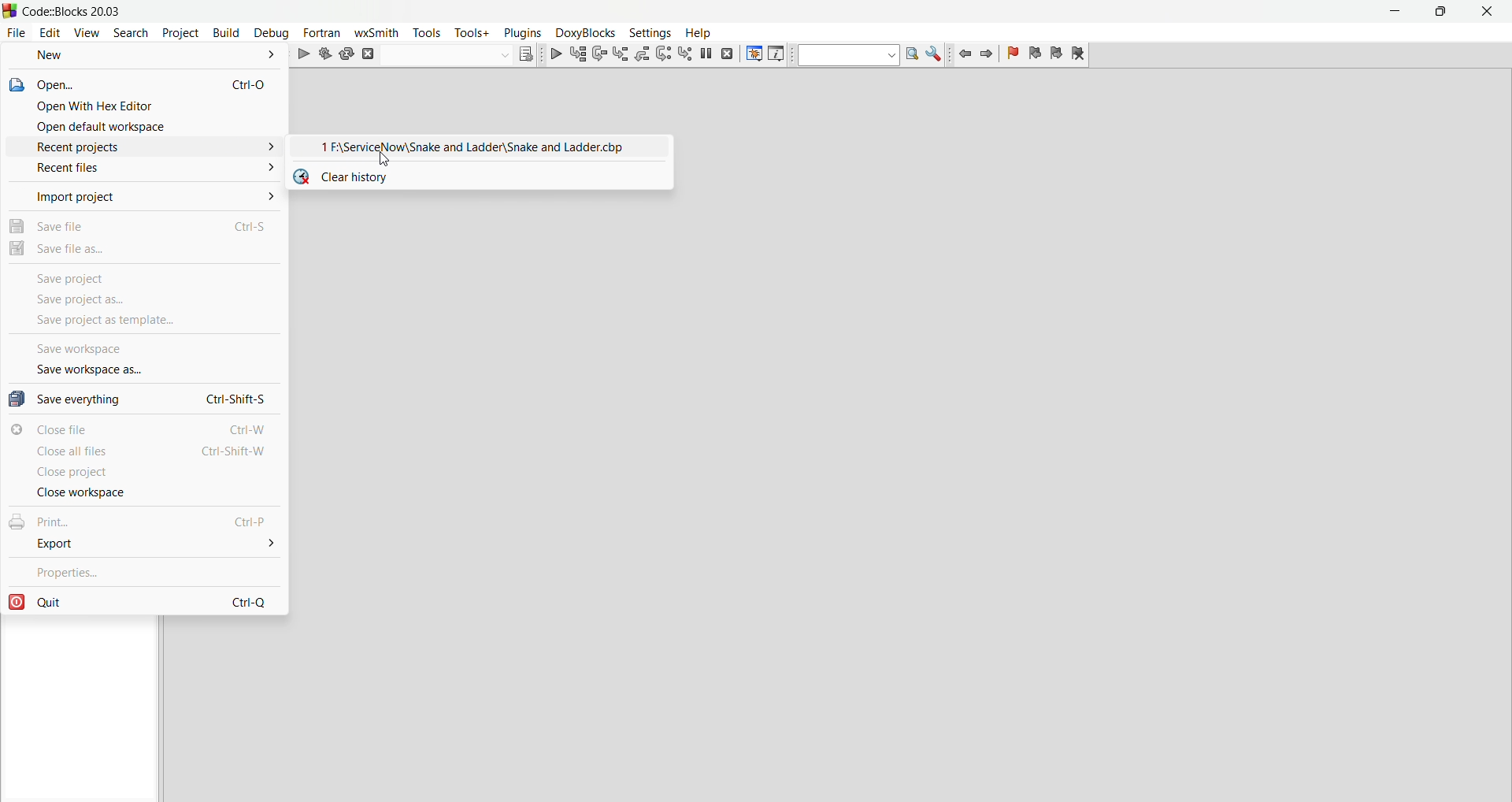  What do you see at coordinates (580, 54) in the screenshot?
I see `run to ursor` at bounding box center [580, 54].